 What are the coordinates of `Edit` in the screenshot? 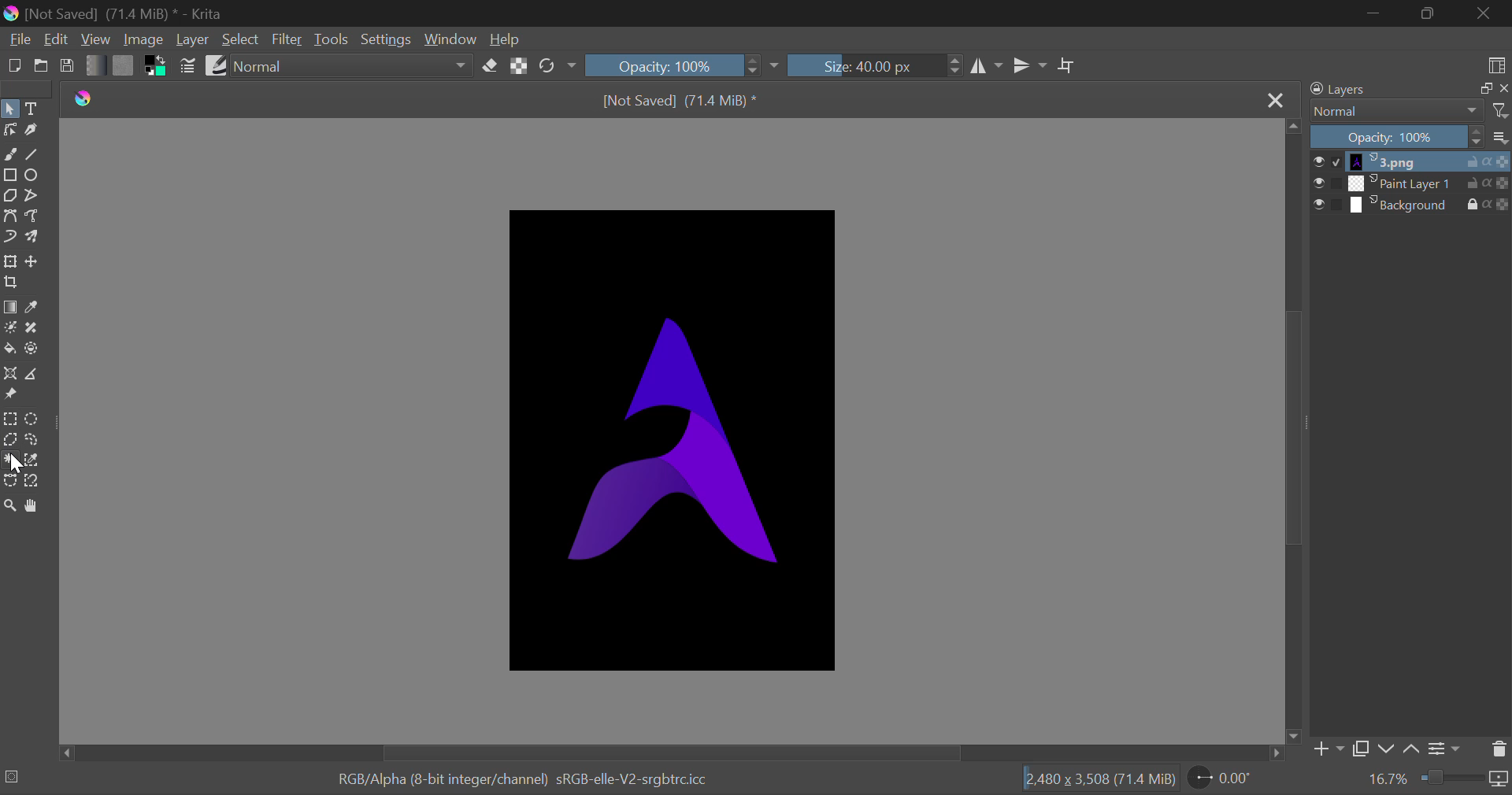 It's located at (58, 39).